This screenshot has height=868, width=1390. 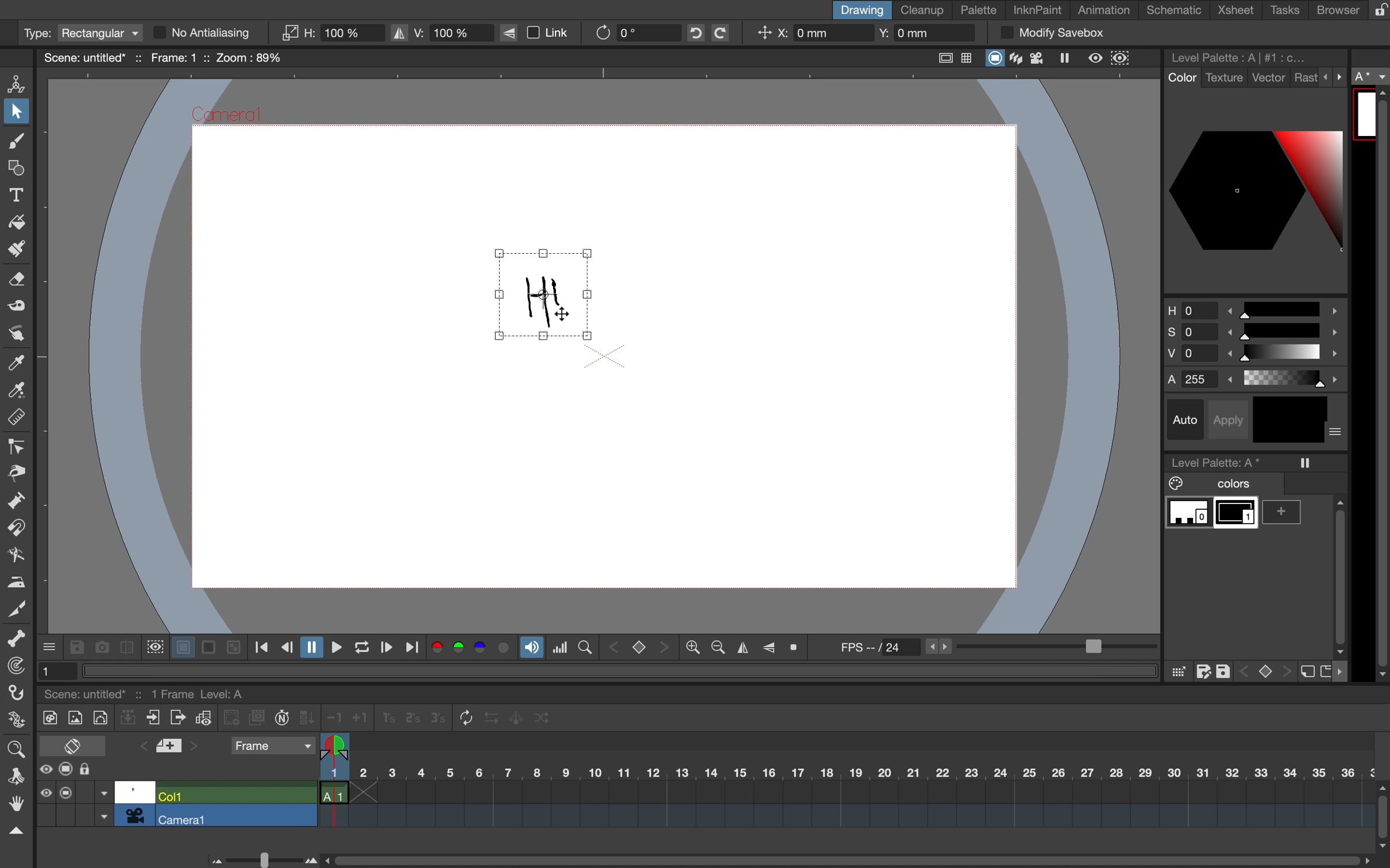 I want to click on eraser tool, so click(x=18, y=283).